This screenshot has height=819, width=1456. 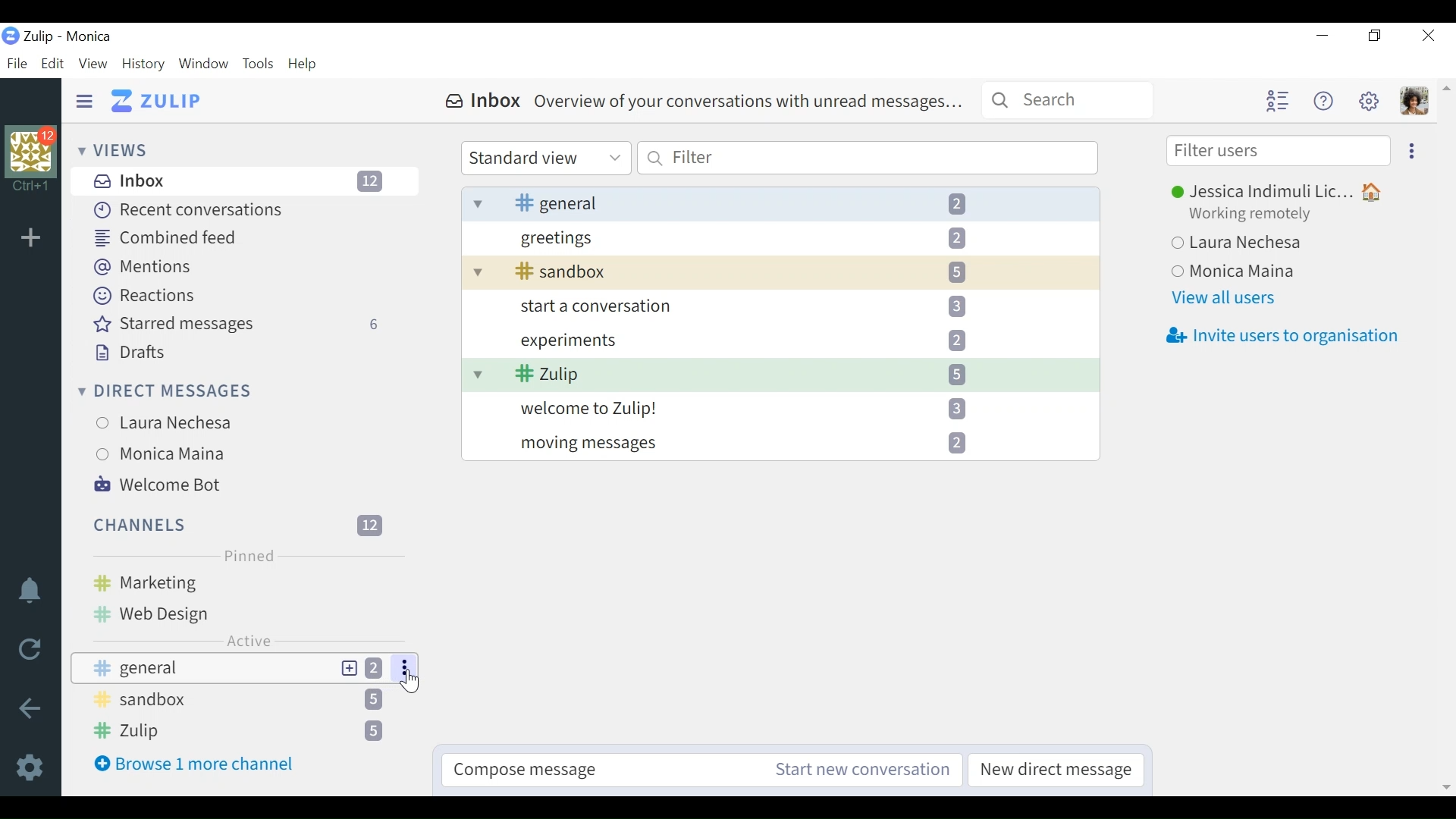 I want to click on Reload, so click(x=35, y=651).